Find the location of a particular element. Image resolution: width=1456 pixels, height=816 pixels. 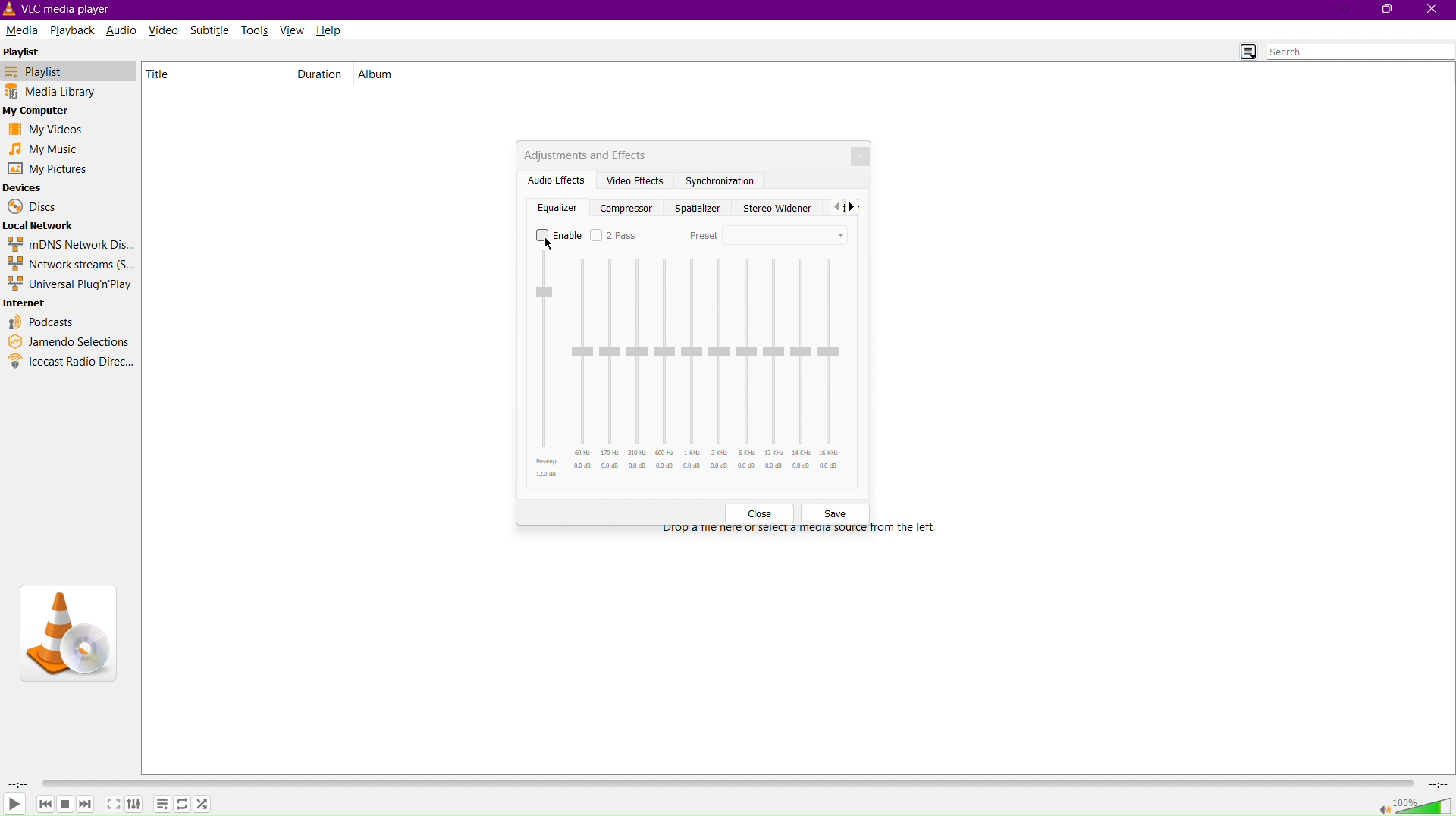

Adjustments and Effects is located at coordinates (591, 153).